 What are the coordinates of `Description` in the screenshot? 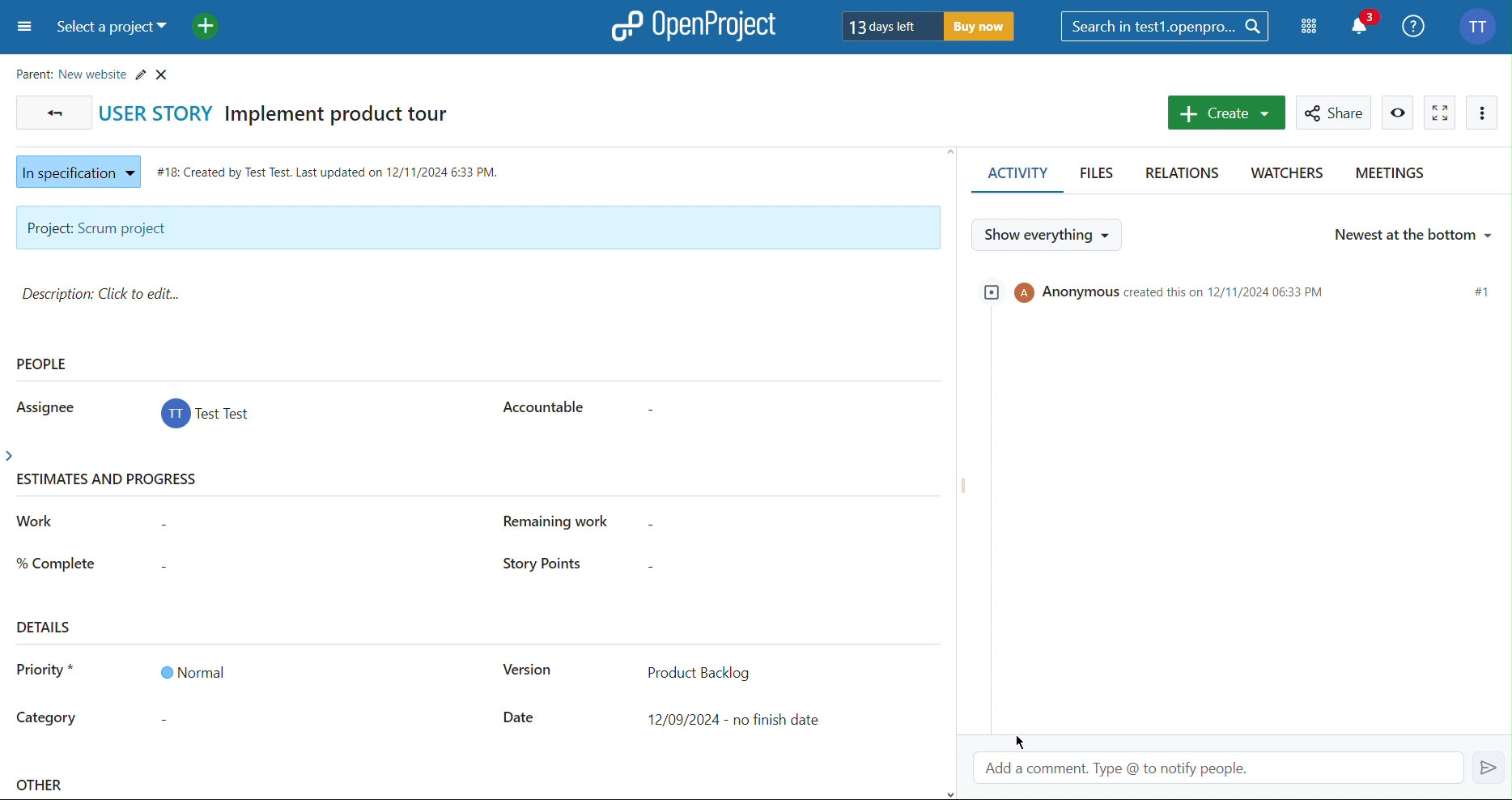 It's located at (107, 294).